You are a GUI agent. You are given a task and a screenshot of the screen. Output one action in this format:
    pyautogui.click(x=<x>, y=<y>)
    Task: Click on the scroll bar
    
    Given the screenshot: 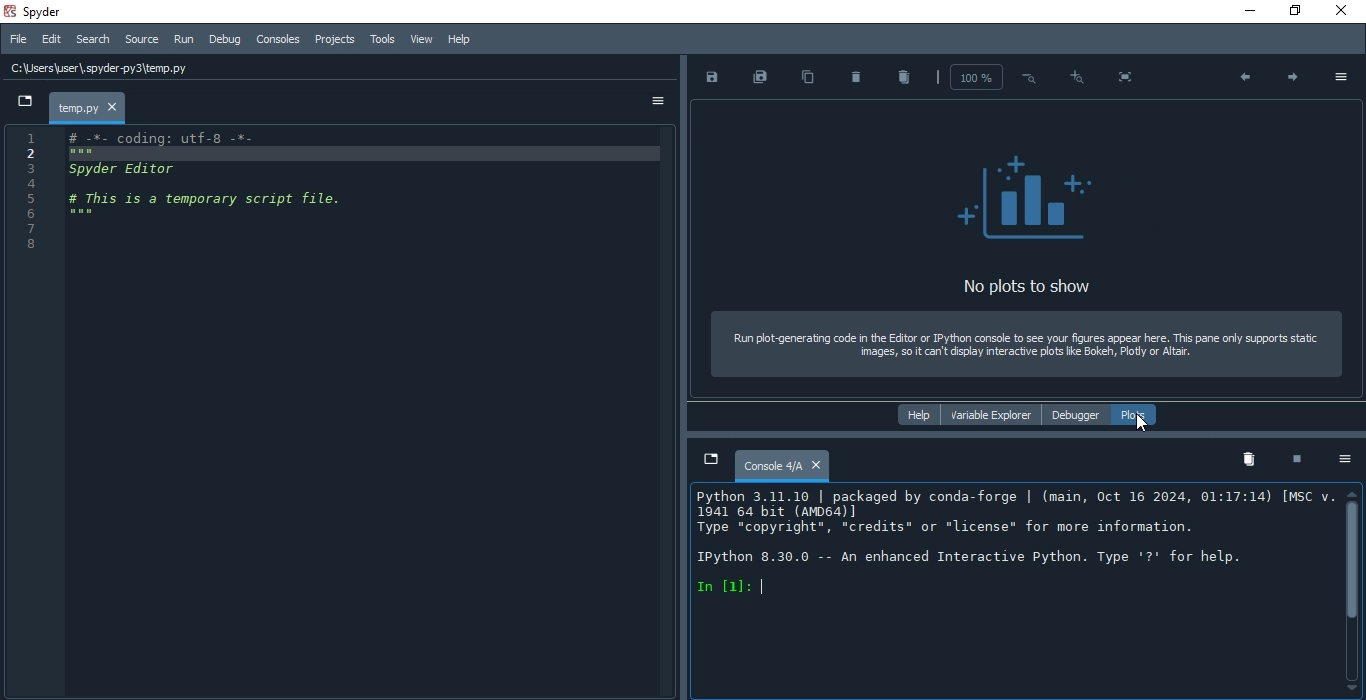 What is the action you would take?
    pyautogui.click(x=1349, y=592)
    